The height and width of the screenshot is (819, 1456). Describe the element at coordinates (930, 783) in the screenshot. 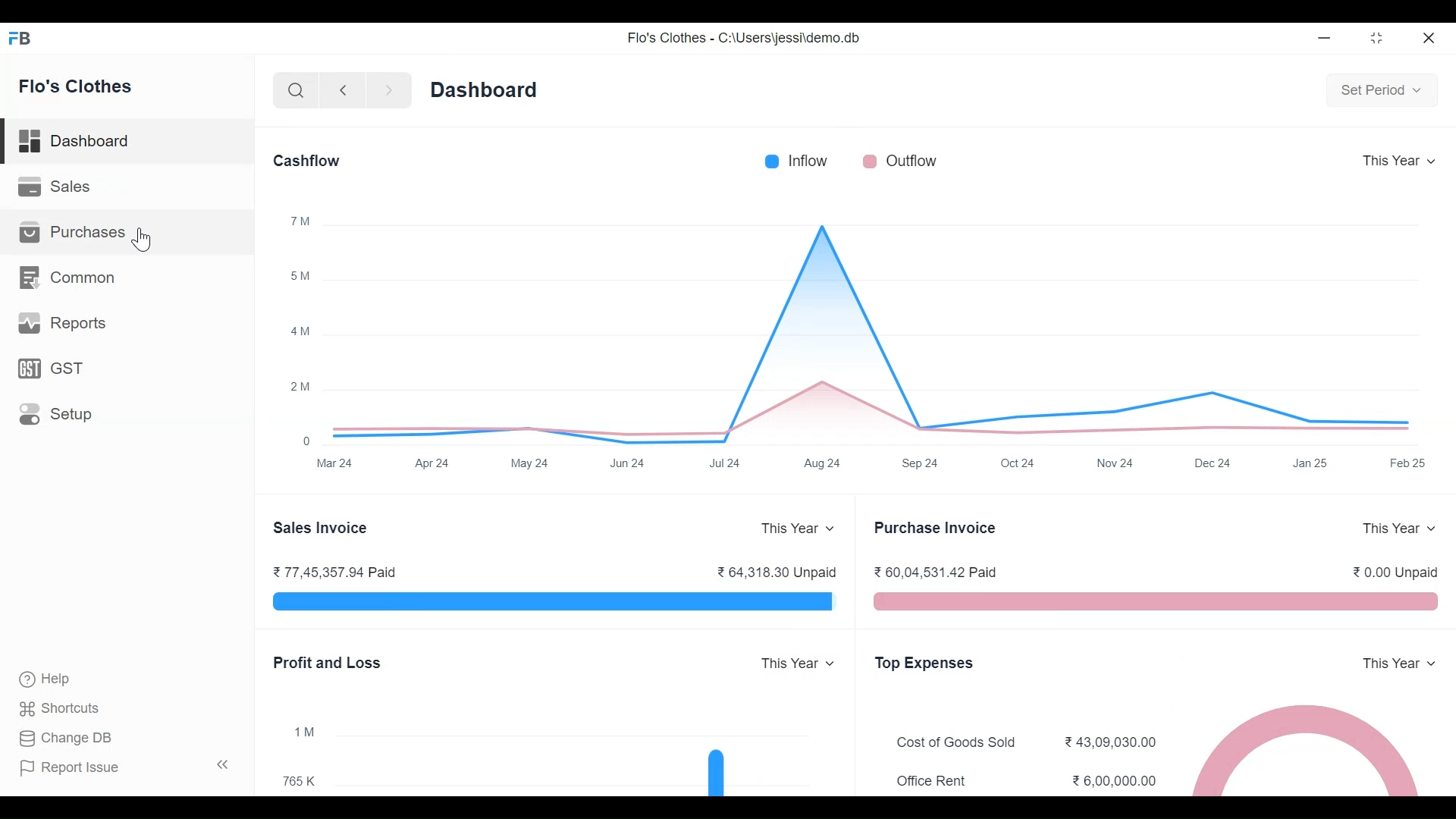

I see `Office Rent` at that location.